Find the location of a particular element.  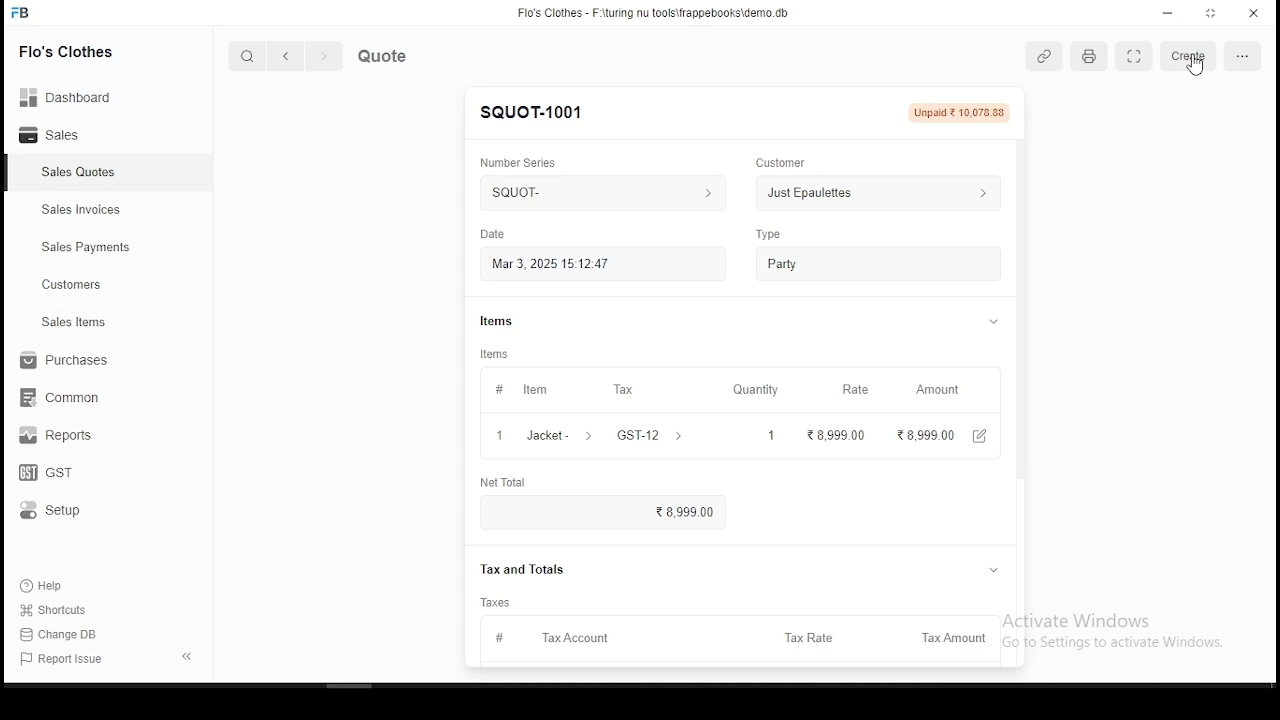

8,999 00 is located at coordinates (838, 434).